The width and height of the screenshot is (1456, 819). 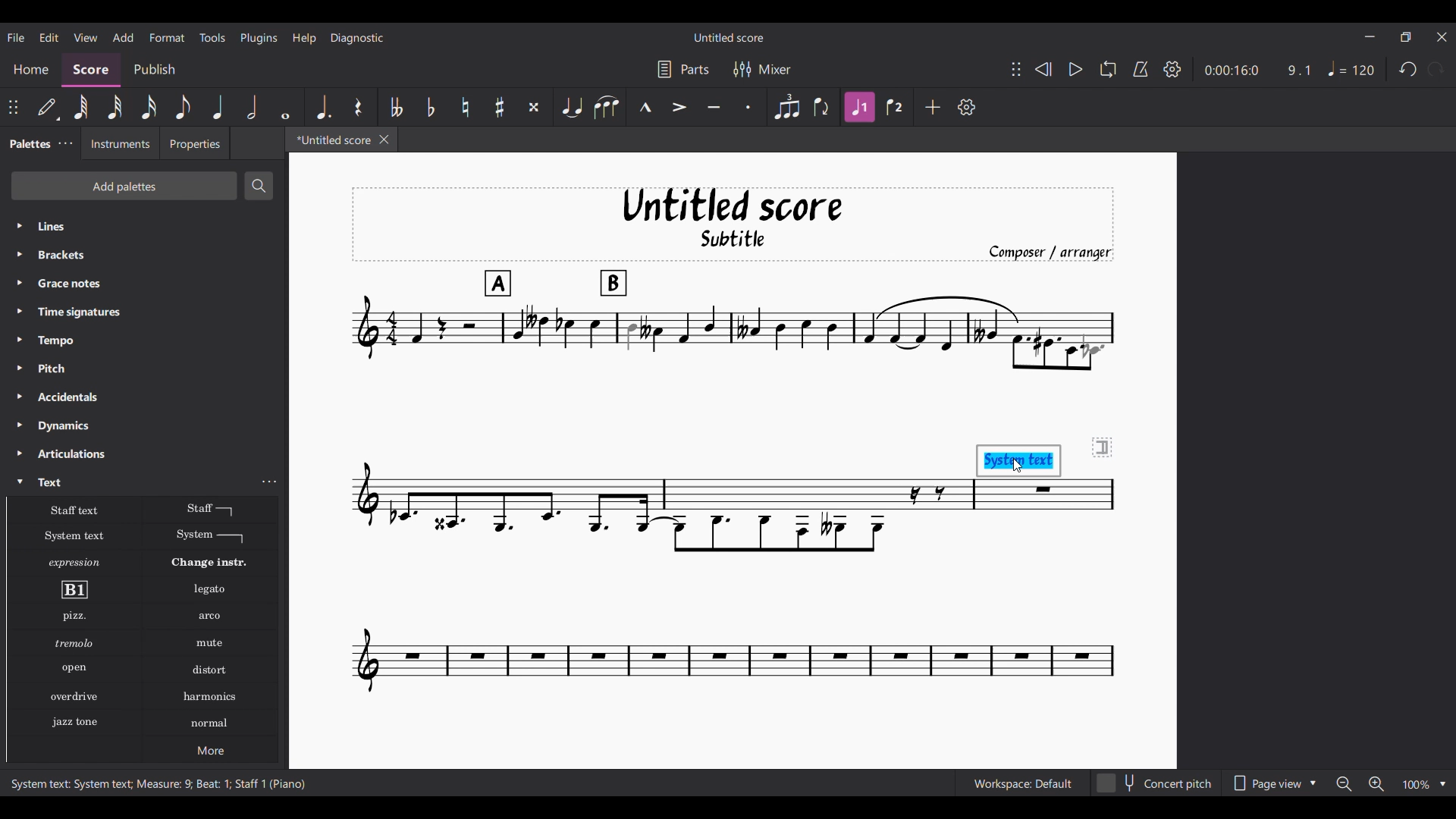 What do you see at coordinates (788, 107) in the screenshot?
I see `Tuplet` at bounding box center [788, 107].